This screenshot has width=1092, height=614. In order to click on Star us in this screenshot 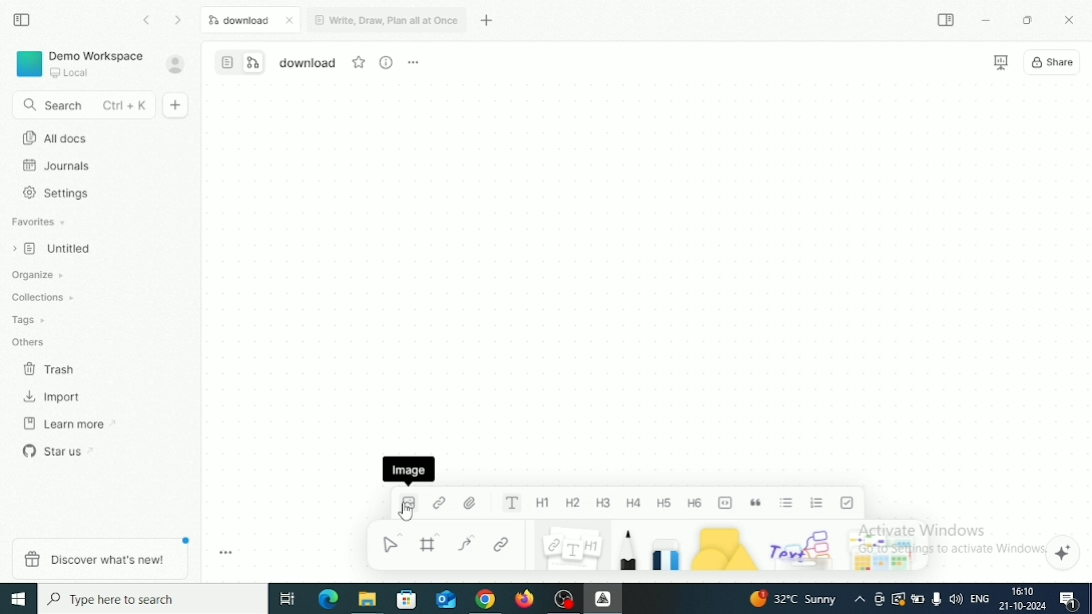, I will do `click(57, 450)`.